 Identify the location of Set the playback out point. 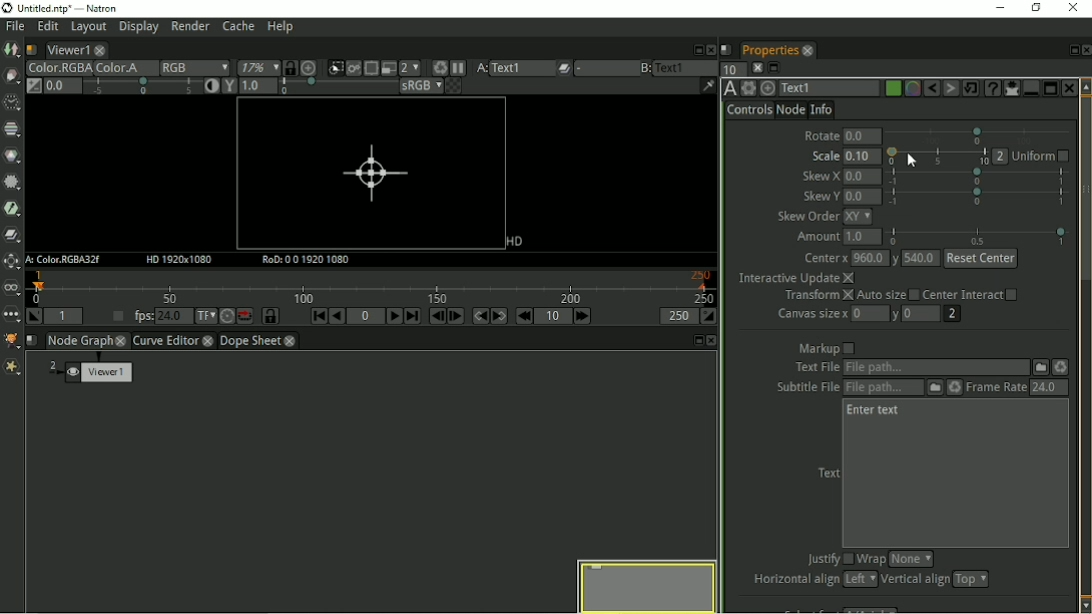
(708, 317).